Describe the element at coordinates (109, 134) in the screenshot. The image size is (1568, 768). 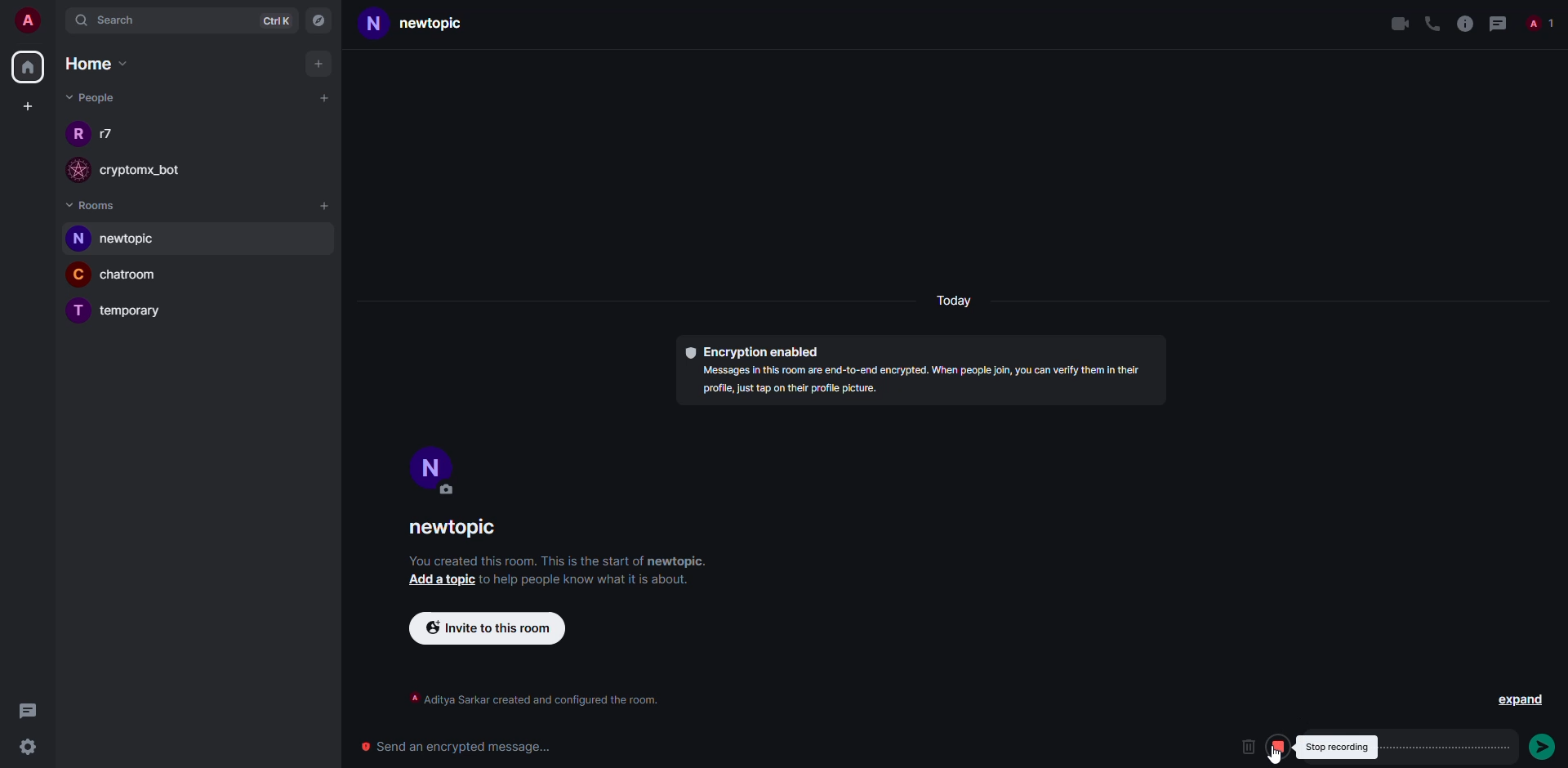
I see `people` at that location.